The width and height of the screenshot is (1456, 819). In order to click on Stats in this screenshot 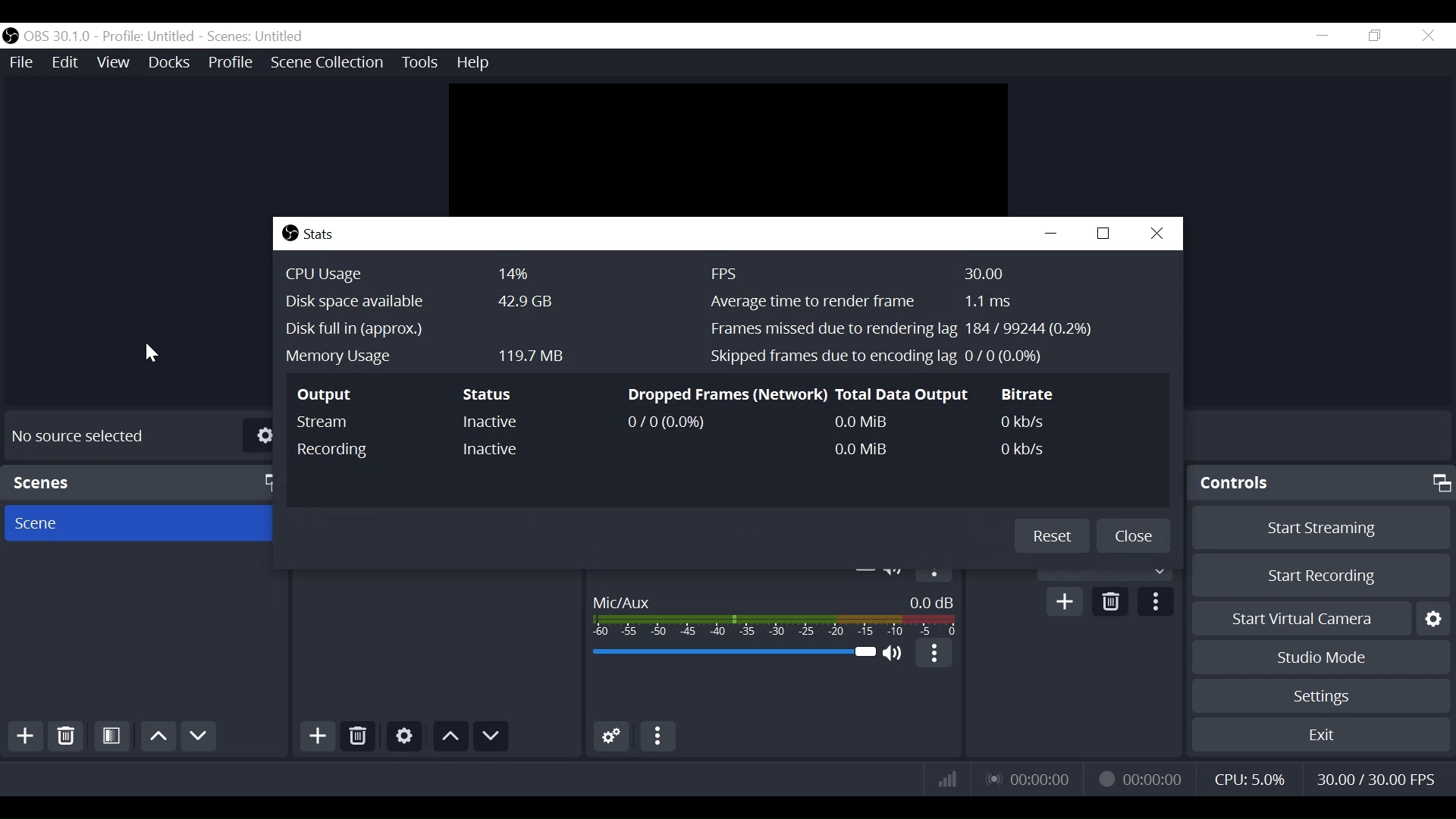, I will do `click(307, 233)`.